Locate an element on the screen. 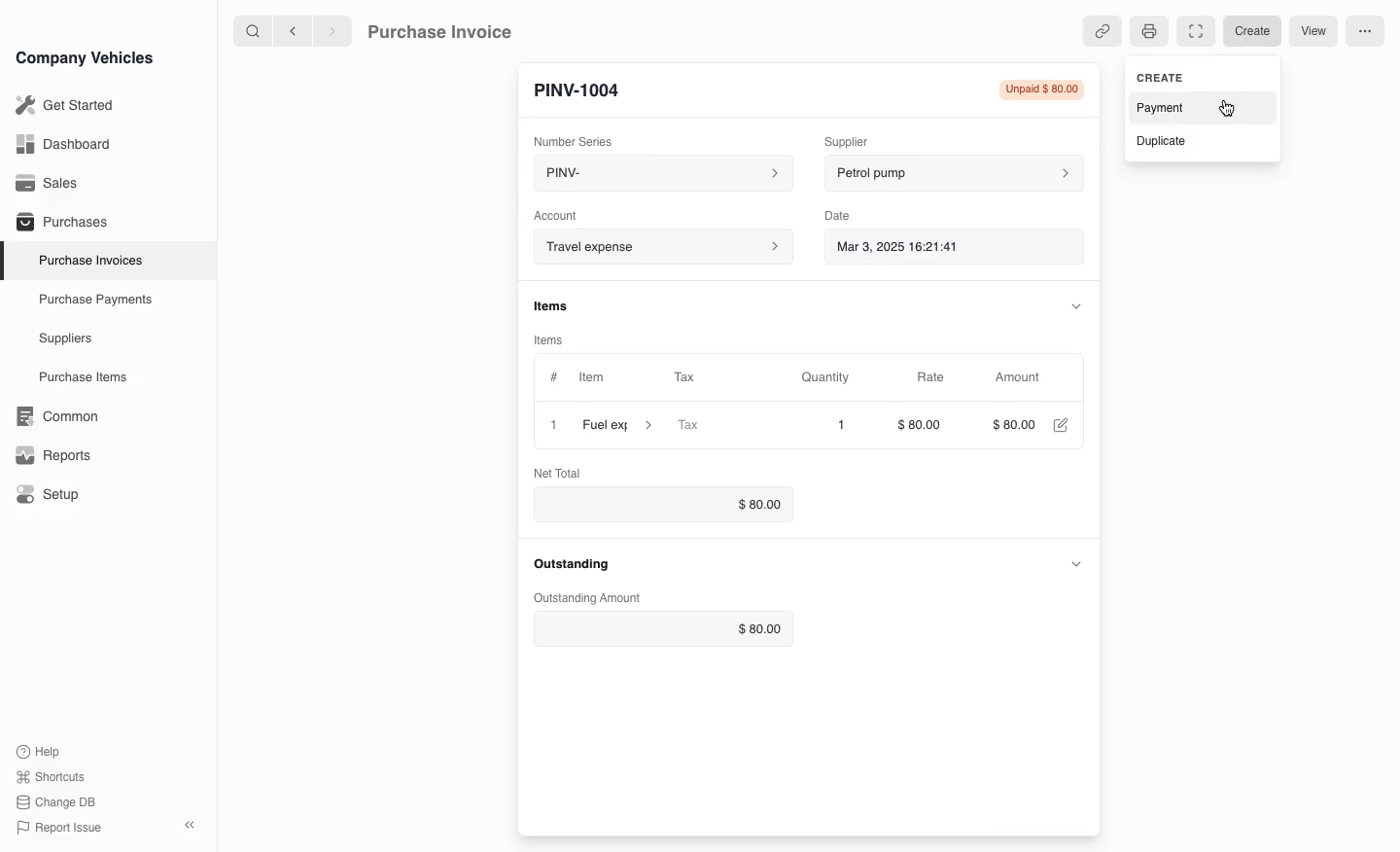  calender is located at coordinates (1067, 248).